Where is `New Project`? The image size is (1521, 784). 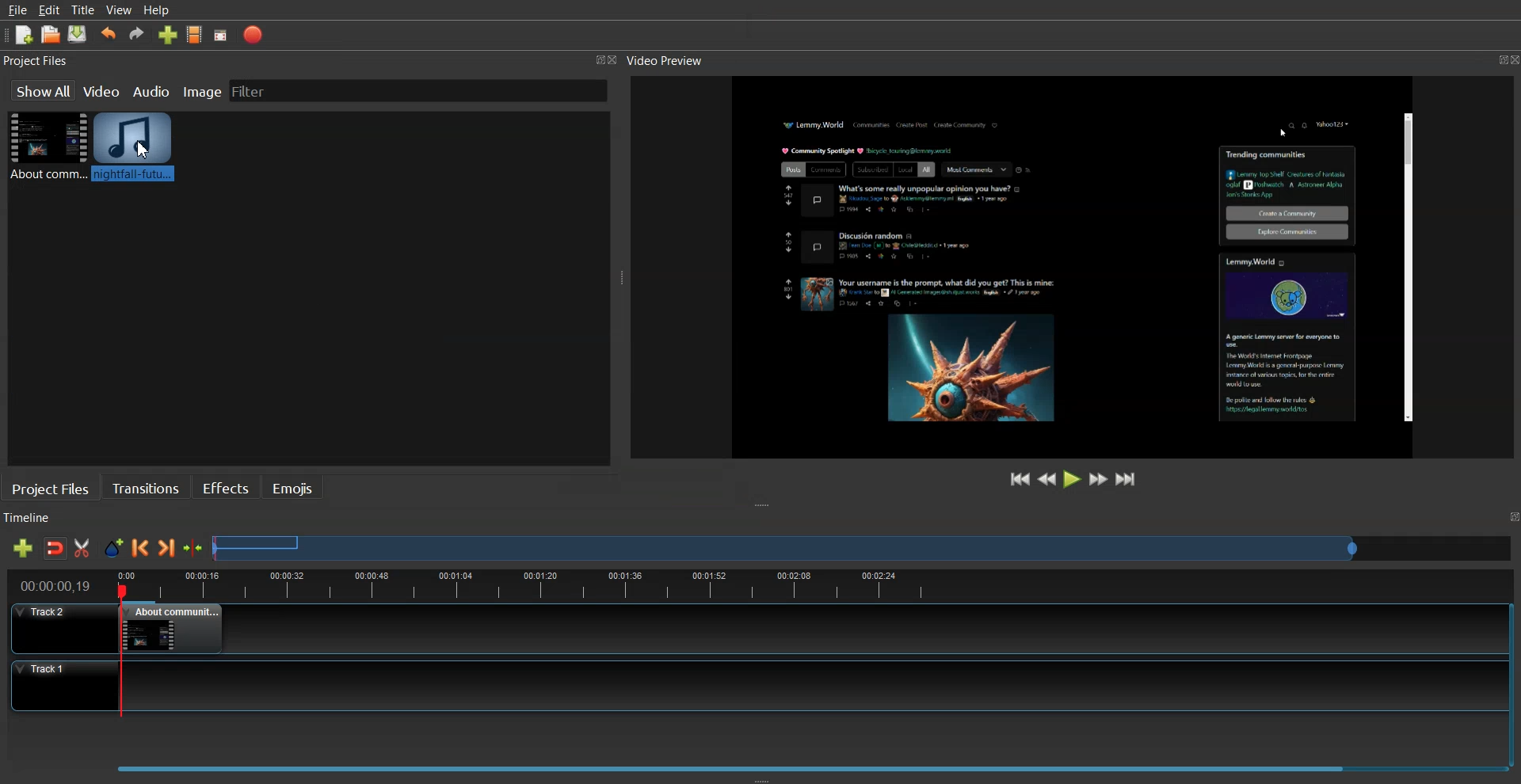 New Project is located at coordinates (25, 36).